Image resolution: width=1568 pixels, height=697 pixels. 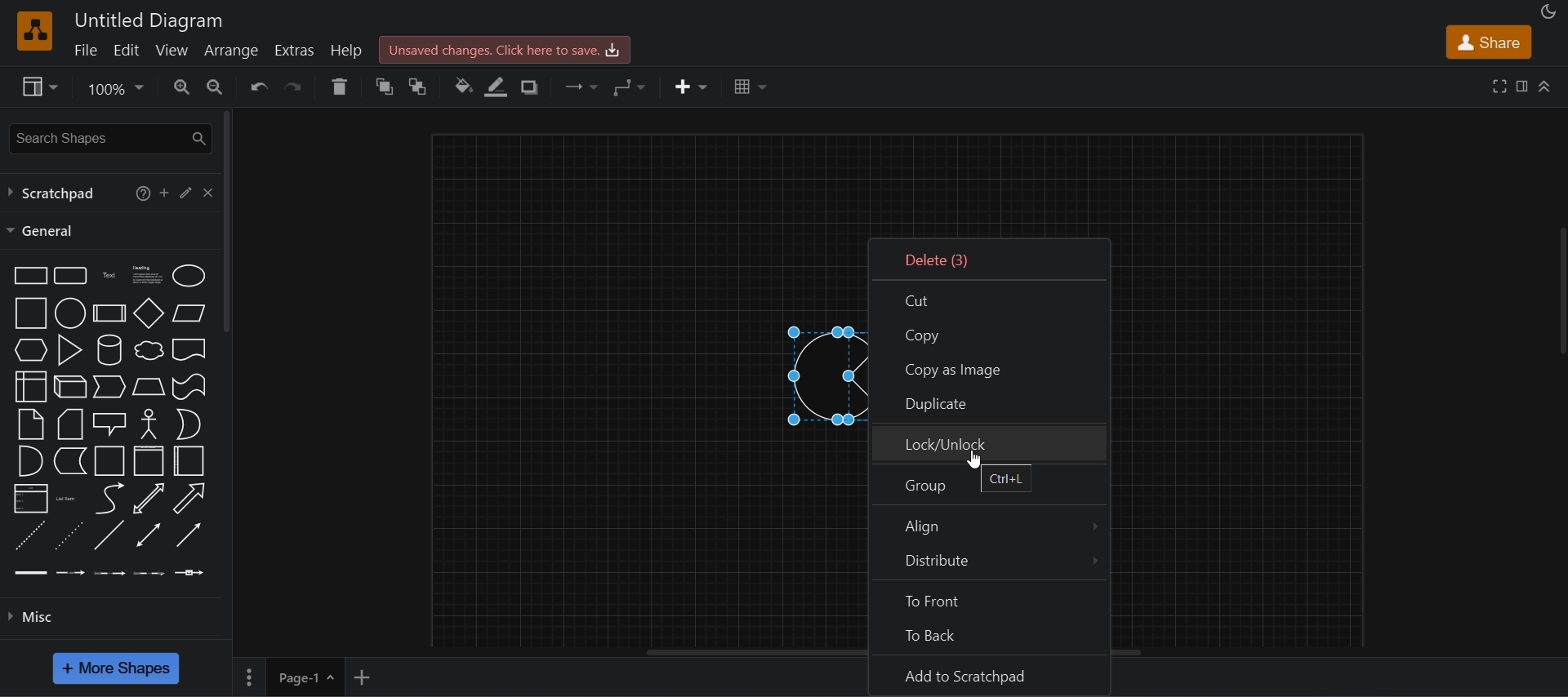 I want to click on Horizontal container, so click(x=189, y=462).